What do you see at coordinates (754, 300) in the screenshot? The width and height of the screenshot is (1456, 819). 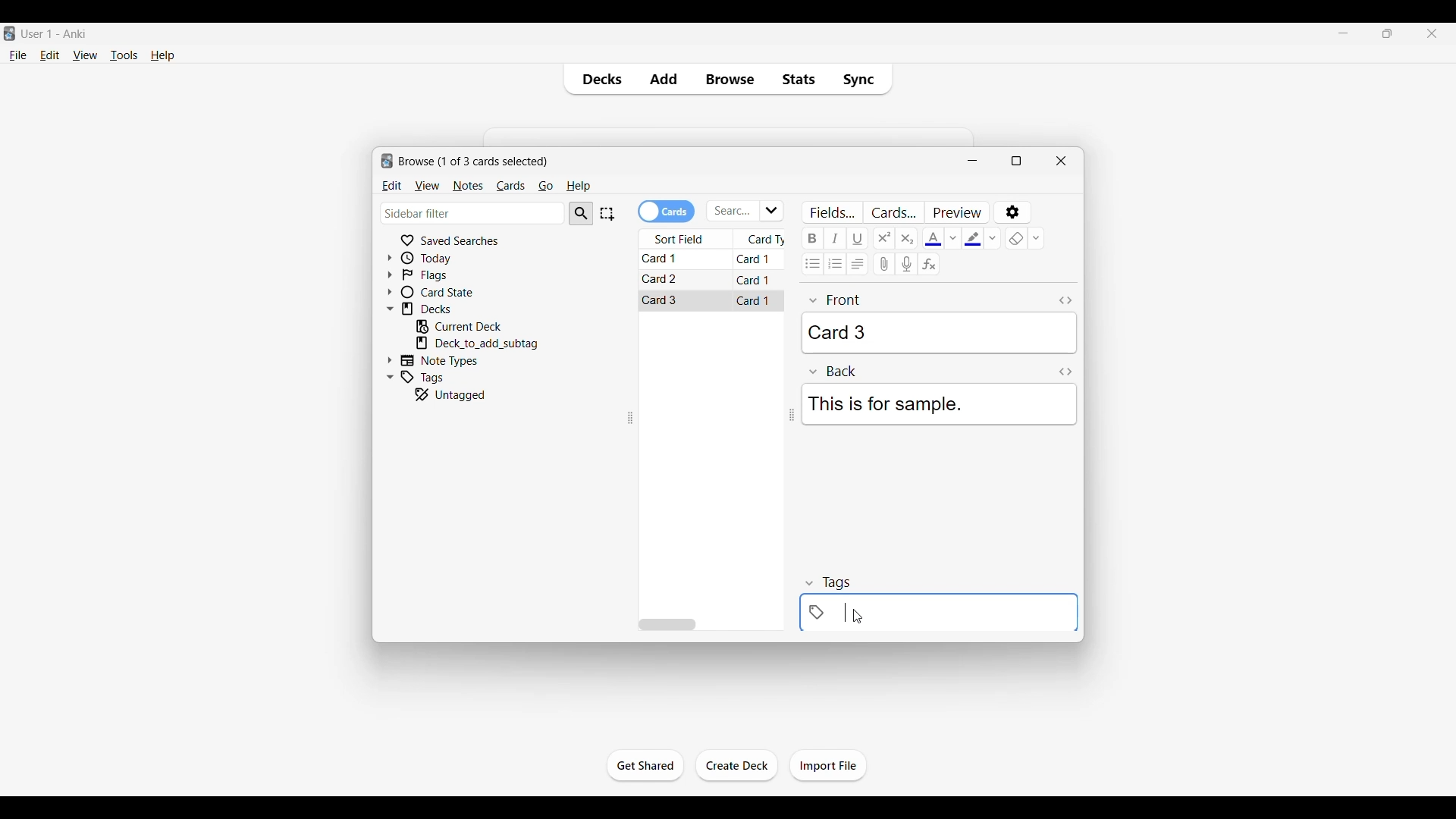 I see `Card 1` at bounding box center [754, 300].